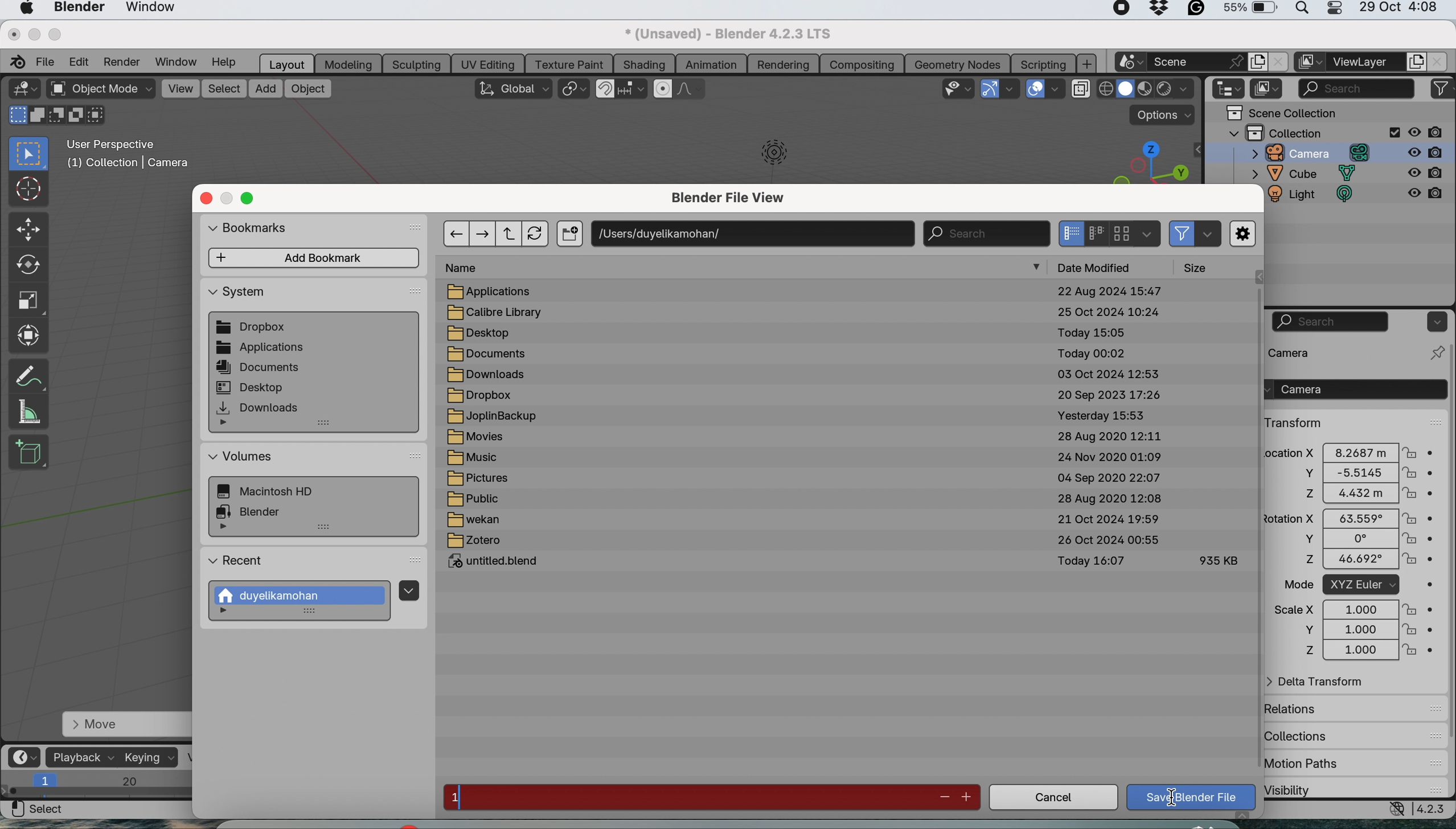 Image resolution: width=1456 pixels, height=829 pixels. I want to click on z 46.692, so click(1345, 561).